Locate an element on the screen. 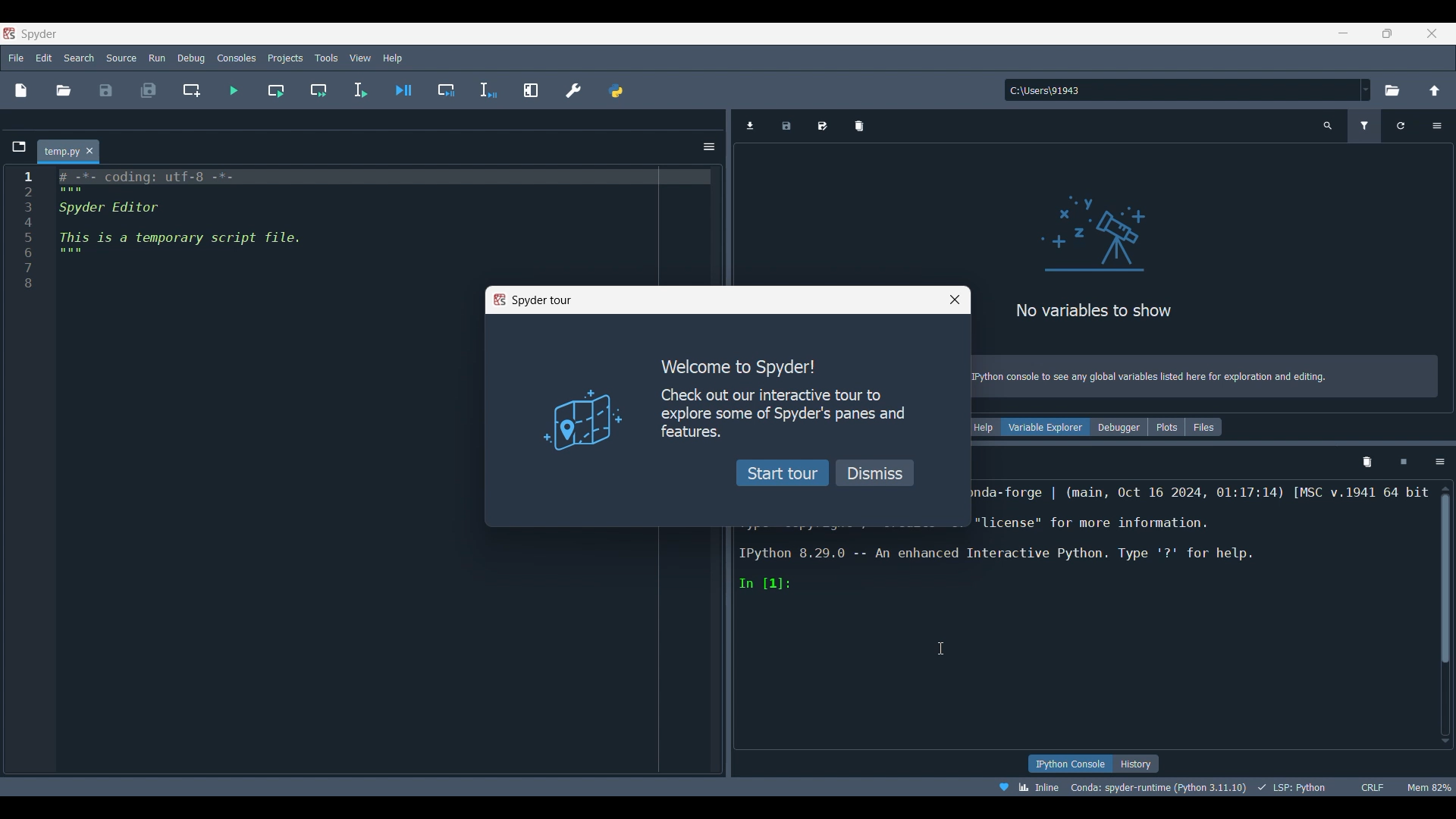 The height and width of the screenshot is (819, 1456).  lk Inline Conda: spyder-runtime (Python 3.11.10) is located at coordinates (1119, 787).